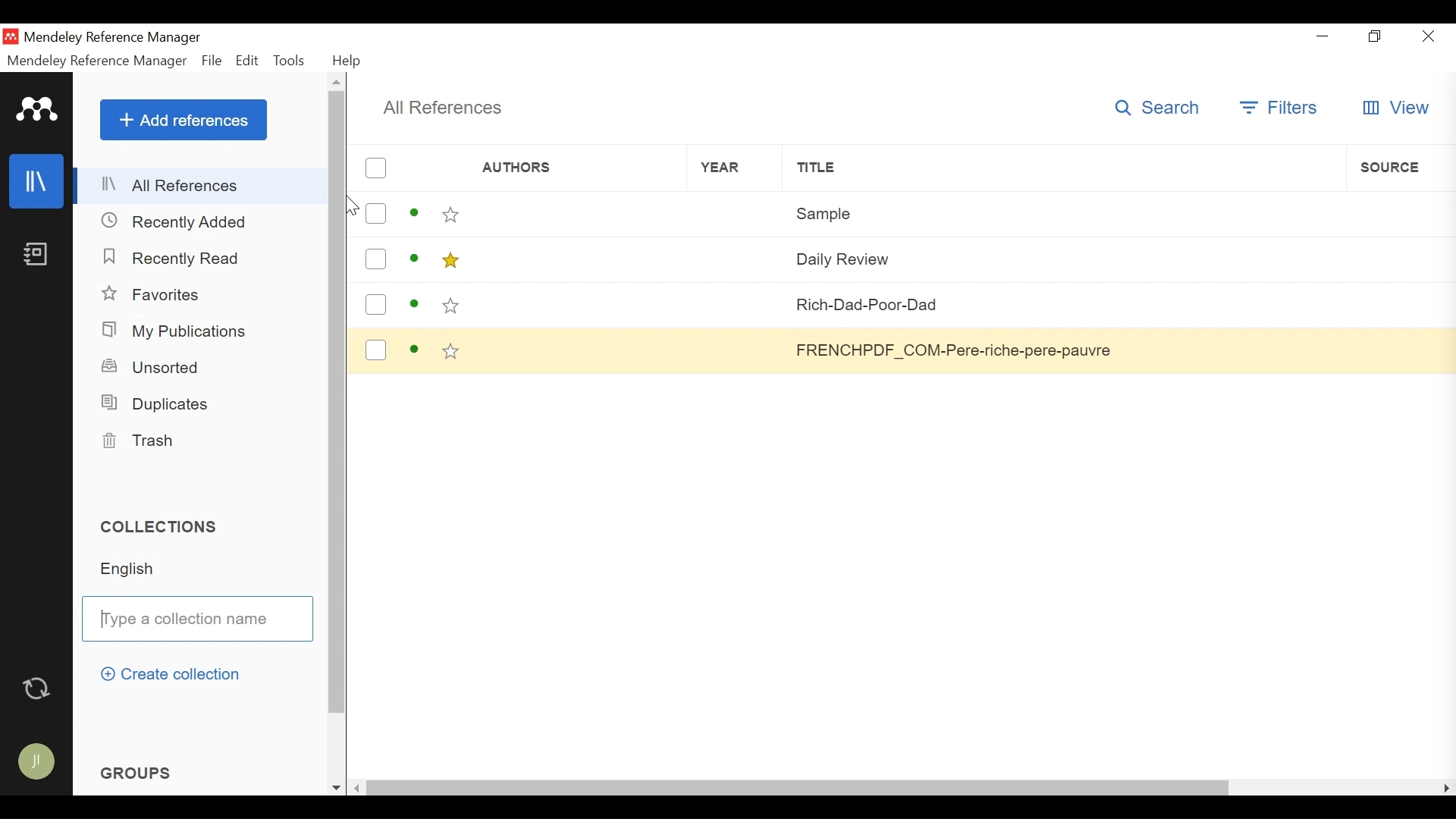  What do you see at coordinates (1063, 168) in the screenshot?
I see `Title` at bounding box center [1063, 168].